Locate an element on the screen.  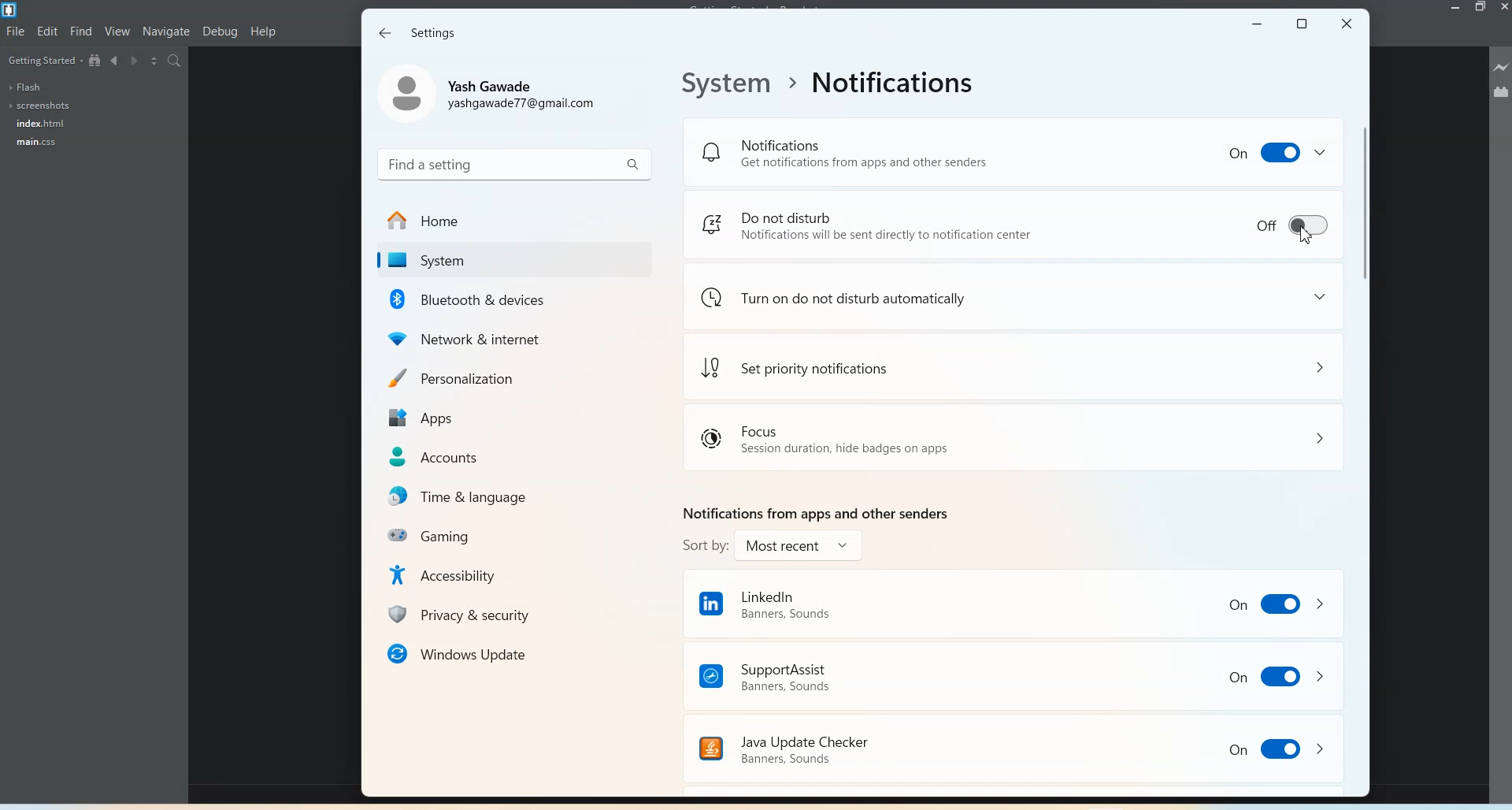
Close is located at coordinates (1347, 22).